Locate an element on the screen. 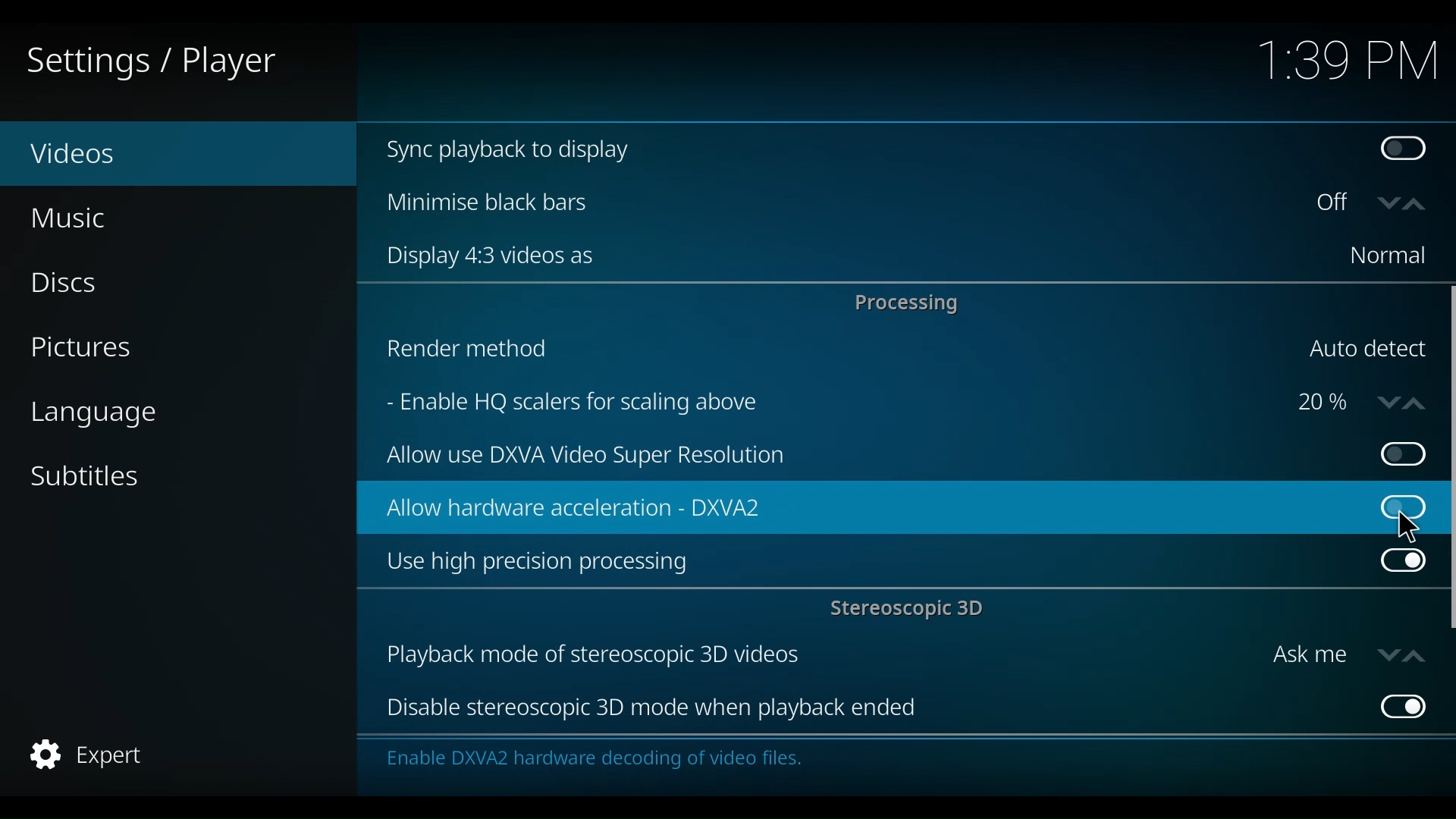 The height and width of the screenshot is (819, 1456). down is located at coordinates (1389, 203).